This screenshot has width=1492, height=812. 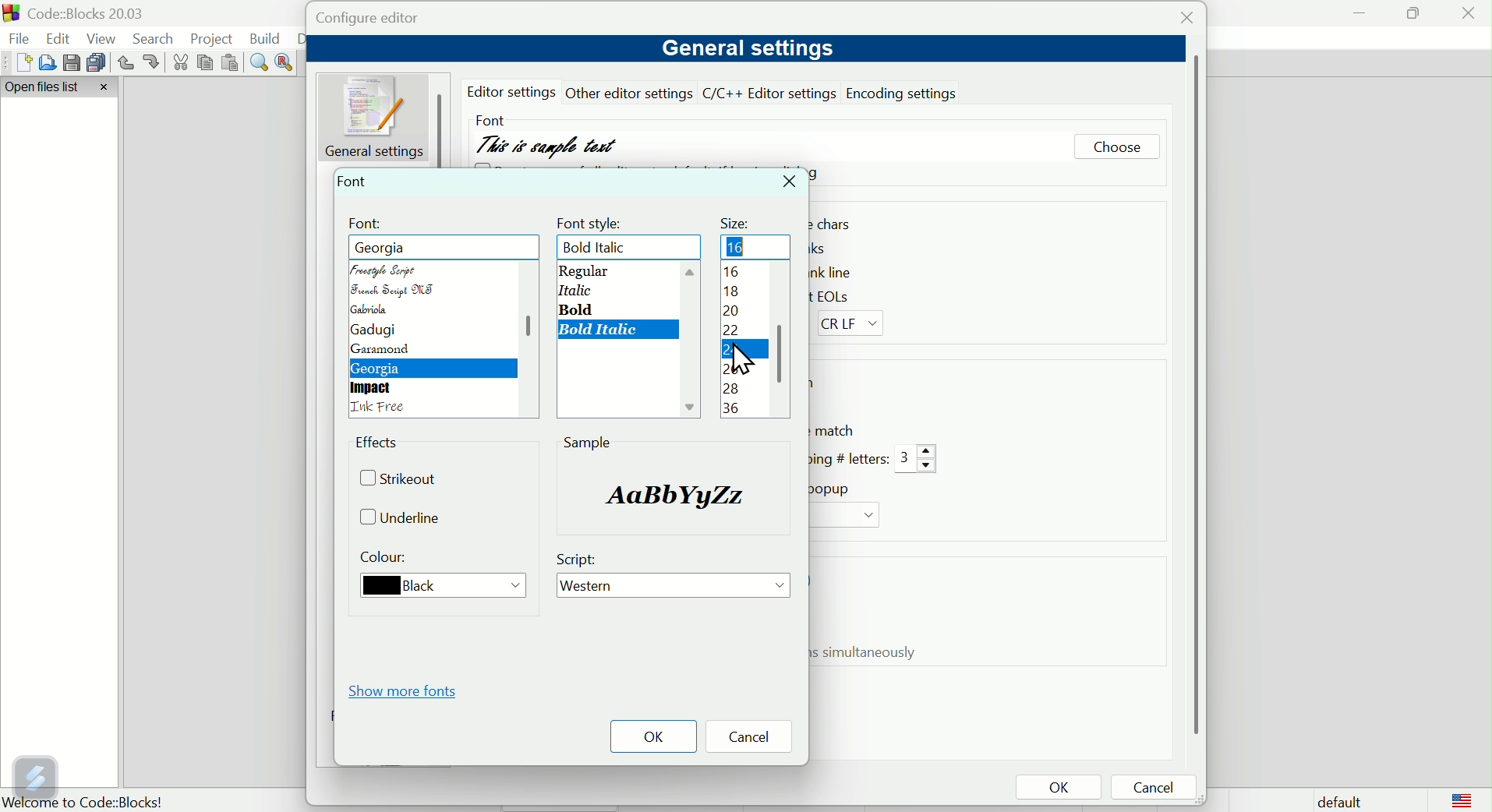 What do you see at coordinates (407, 519) in the screenshot?
I see `Underline` at bounding box center [407, 519].